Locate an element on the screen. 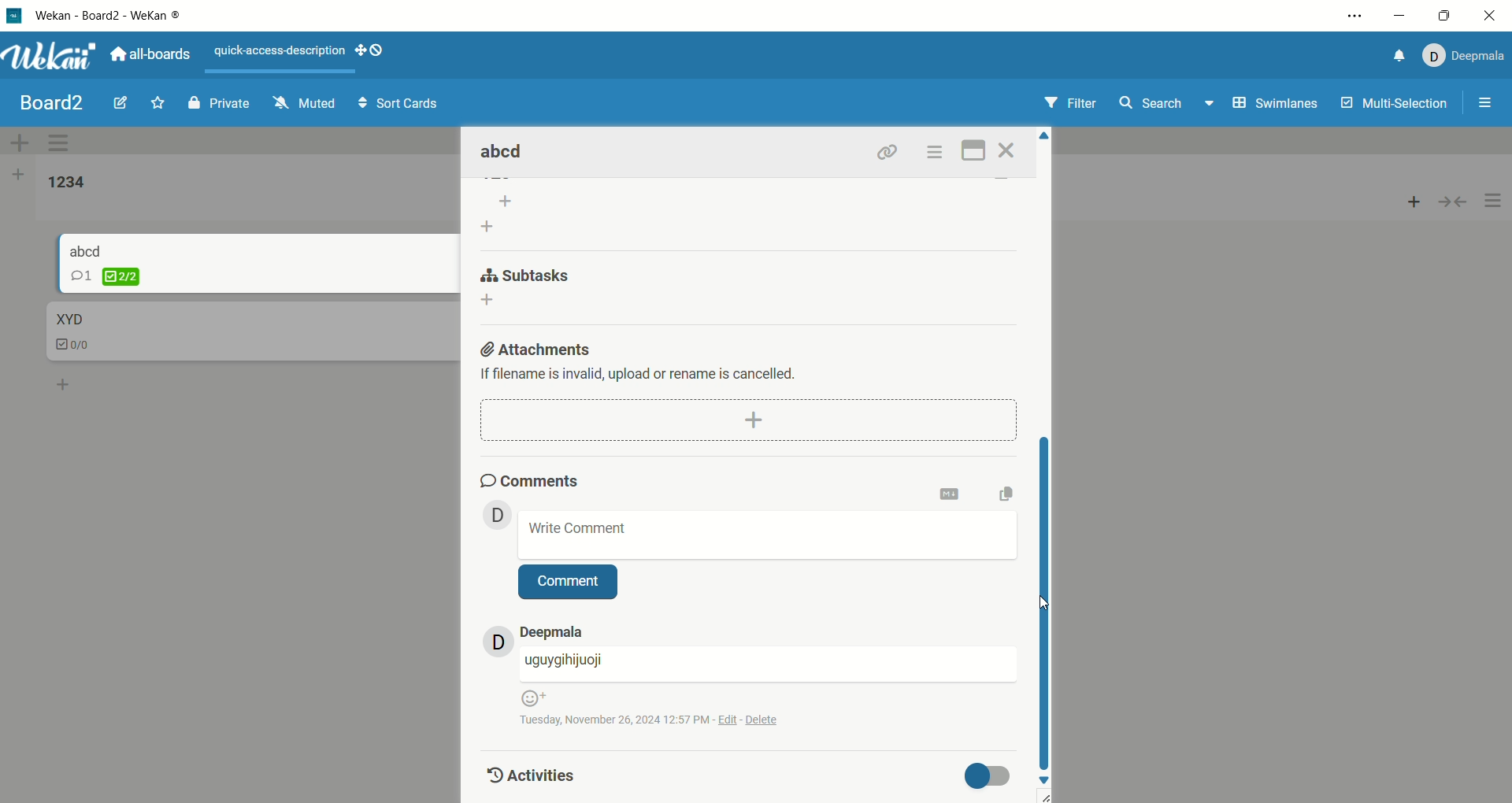  avatar is located at coordinates (498, 641).